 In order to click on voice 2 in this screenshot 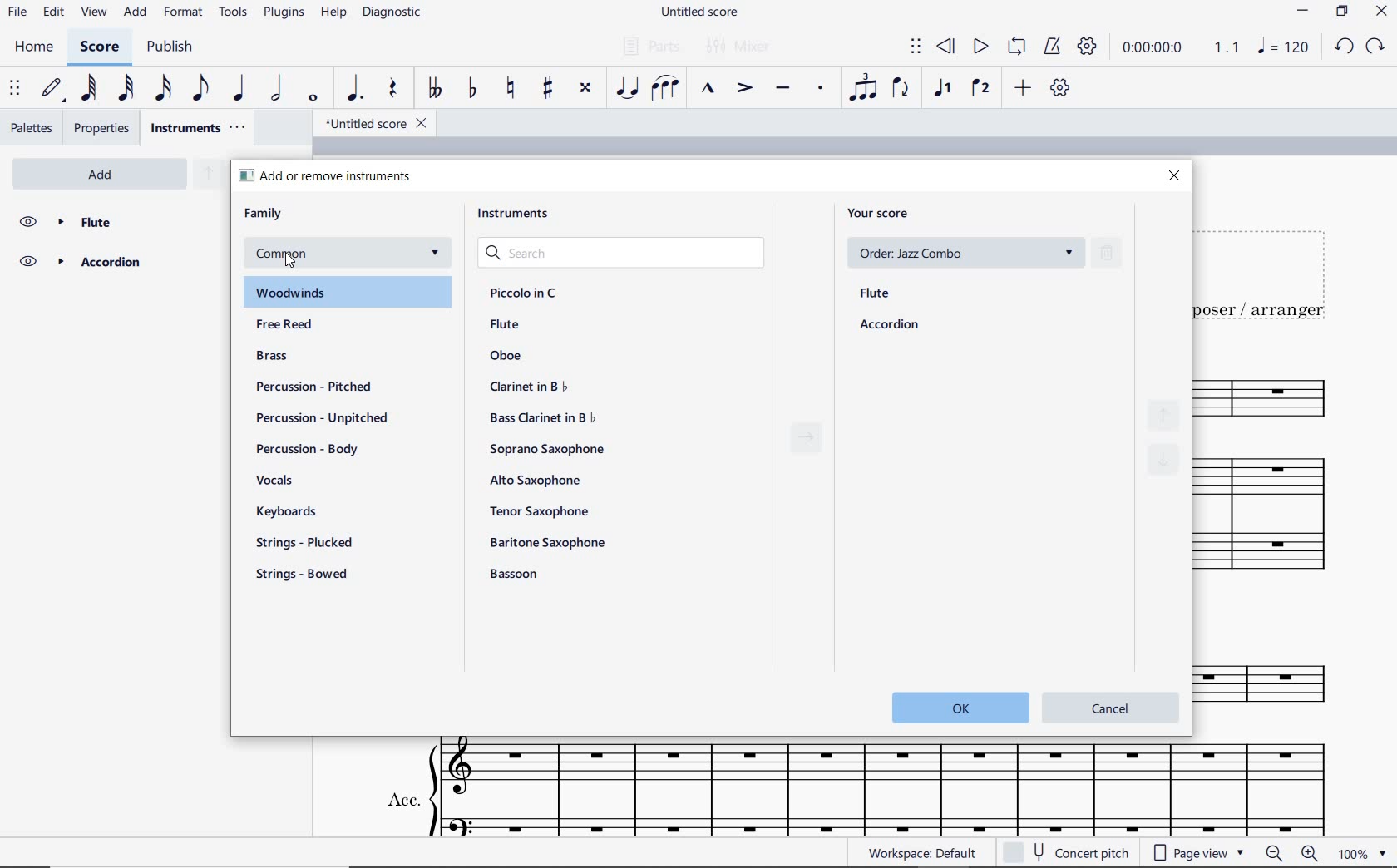, I will do `click(980, 89)`.